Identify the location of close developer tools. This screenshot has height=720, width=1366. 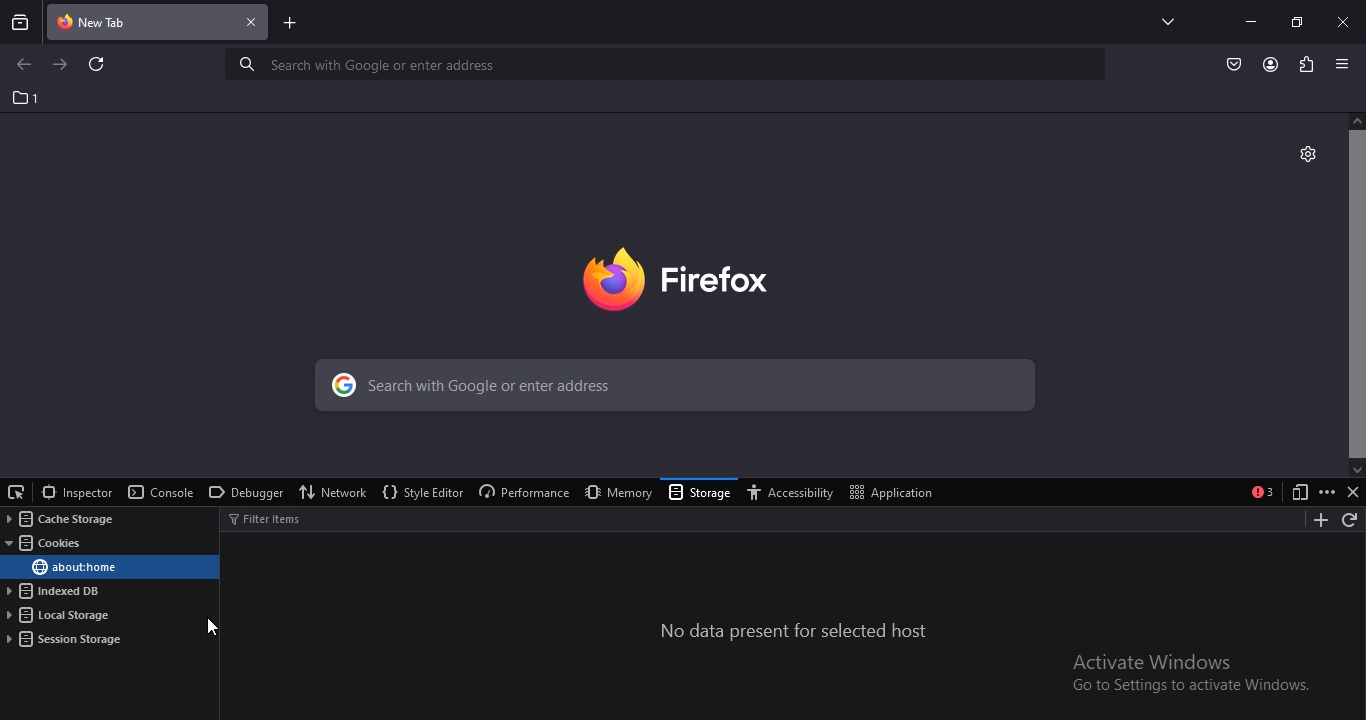
(1353, 492).